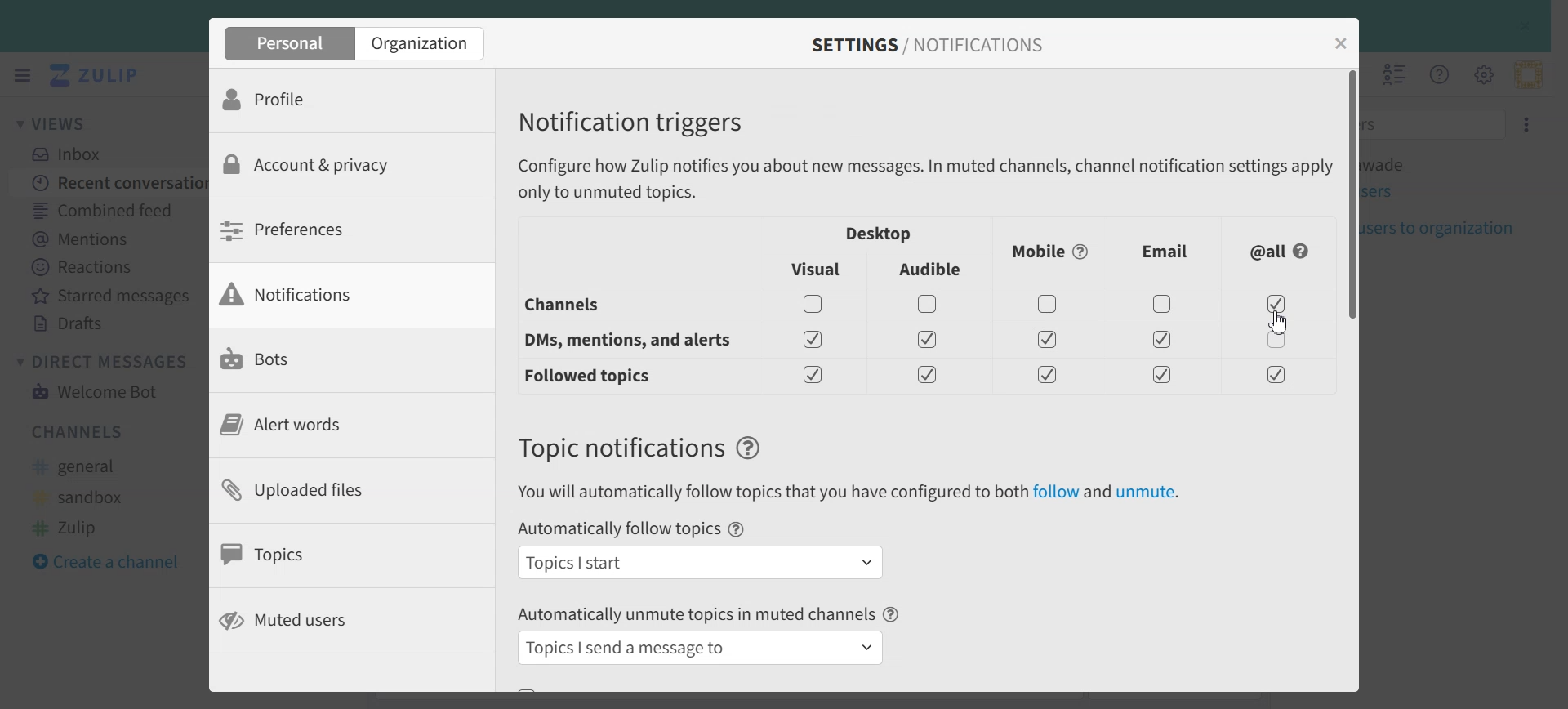 The height and width of the screenshot is (709, 1568). What do you see at coordinates (109, 267) in the screenshot?
I see `Reactions` at bounding box center [109, 267].